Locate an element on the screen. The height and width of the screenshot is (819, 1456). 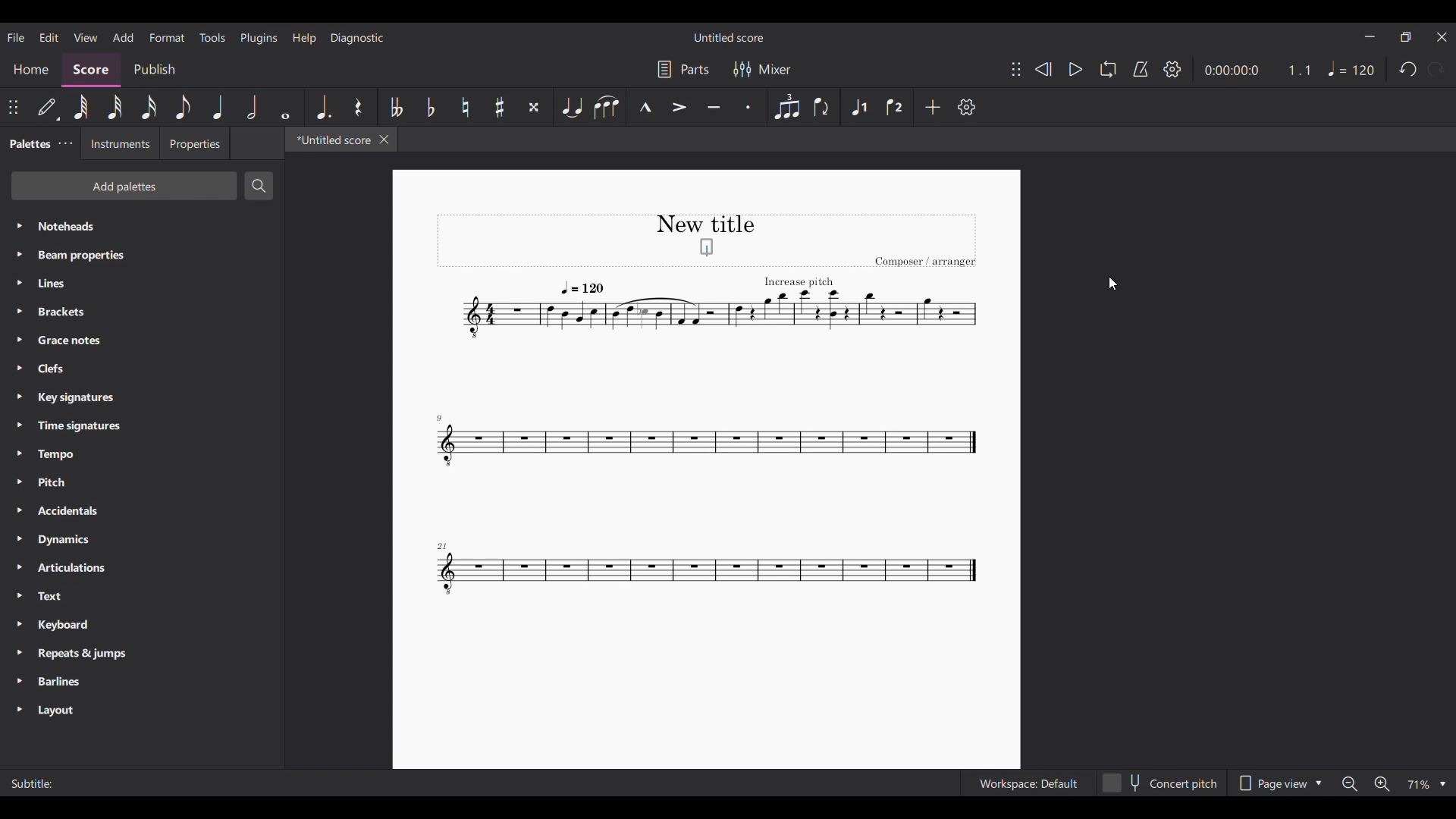
Typing in subtitle is located at coordinates (707, 248).